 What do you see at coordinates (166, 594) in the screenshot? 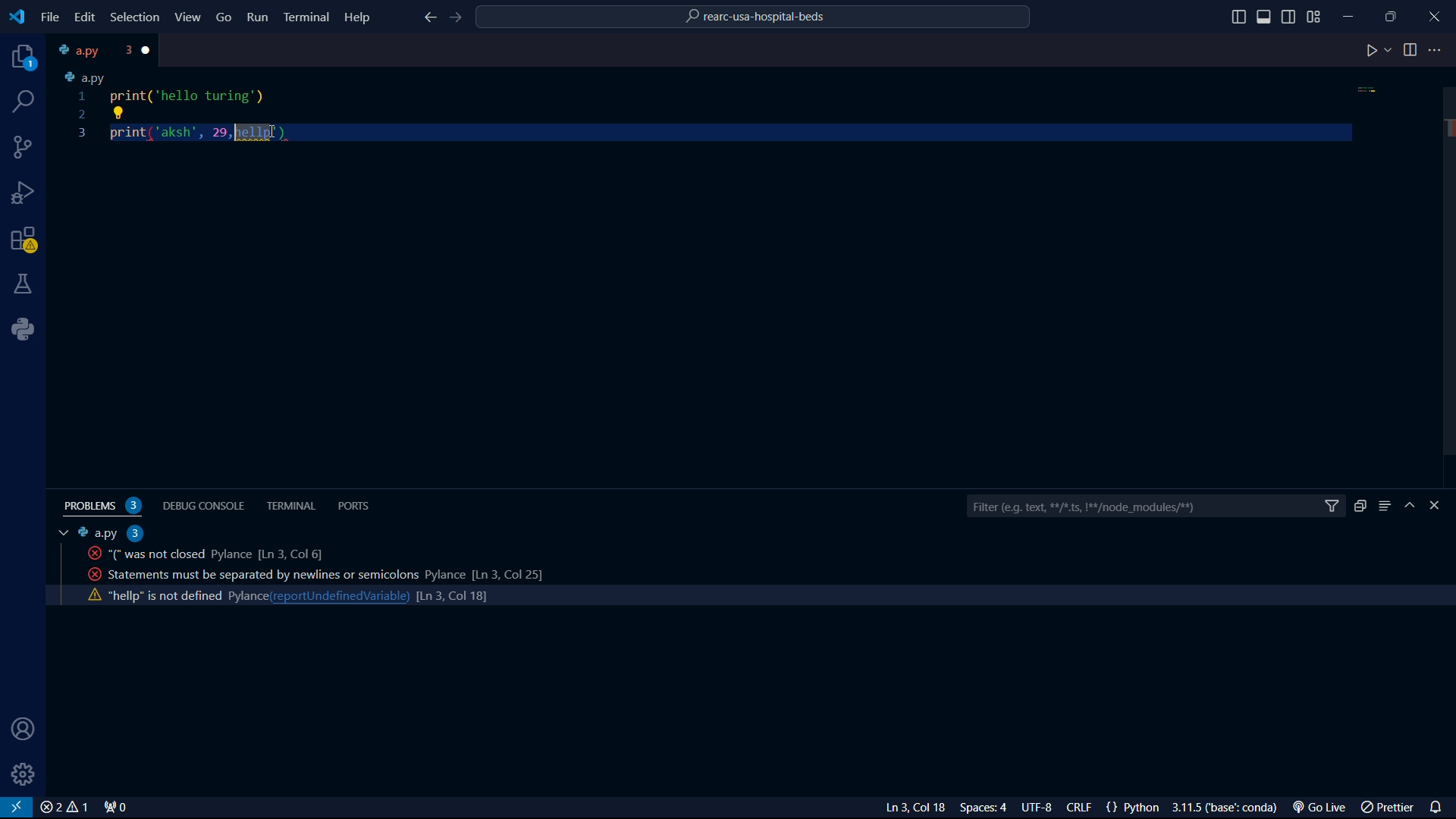
I see `activity code` at bounding box center [166, 594].